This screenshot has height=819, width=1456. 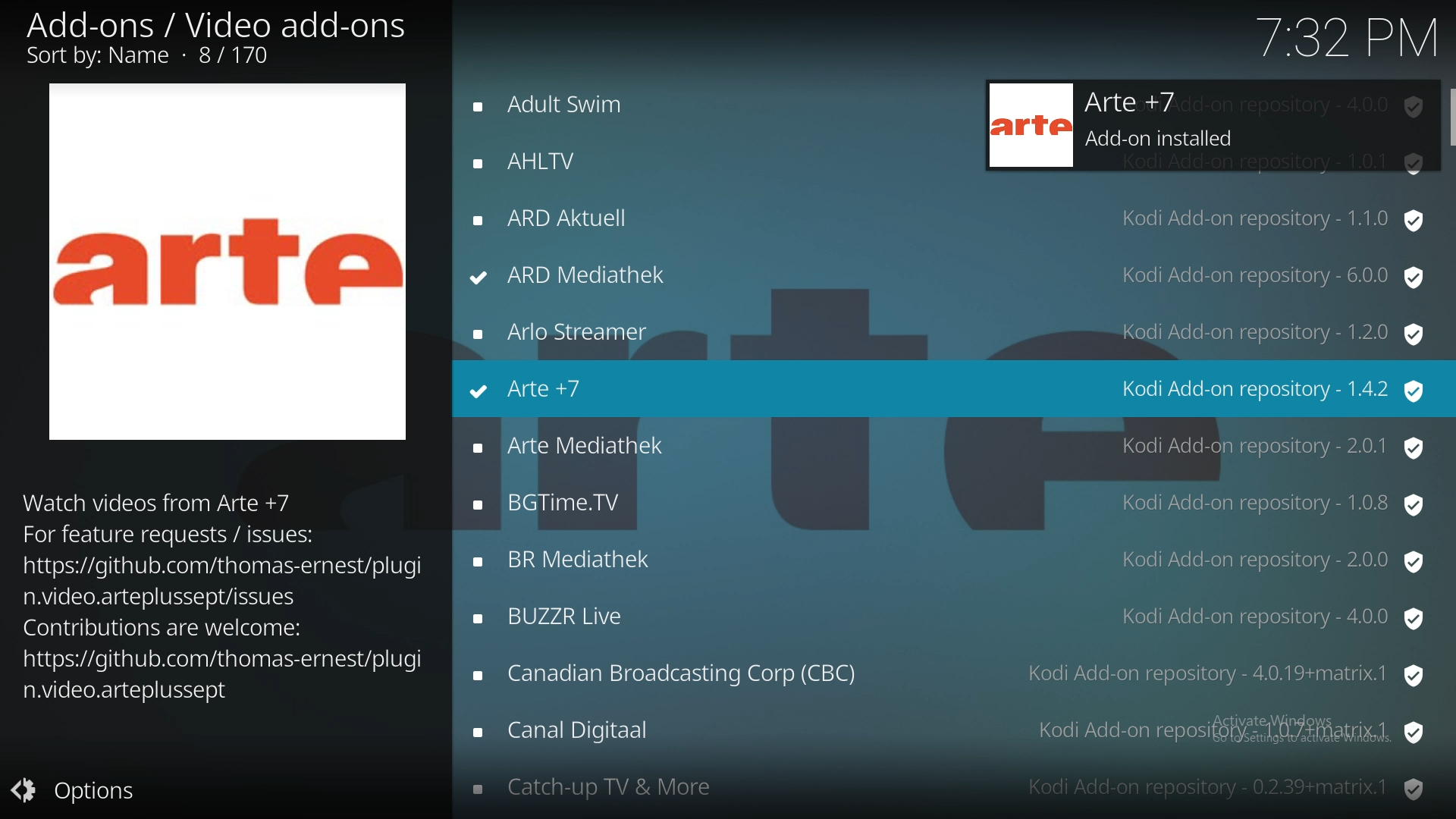 What do you see at coordinates (952, 500) in the screenshot?
I see `add on` at bounding box center [952, 500].